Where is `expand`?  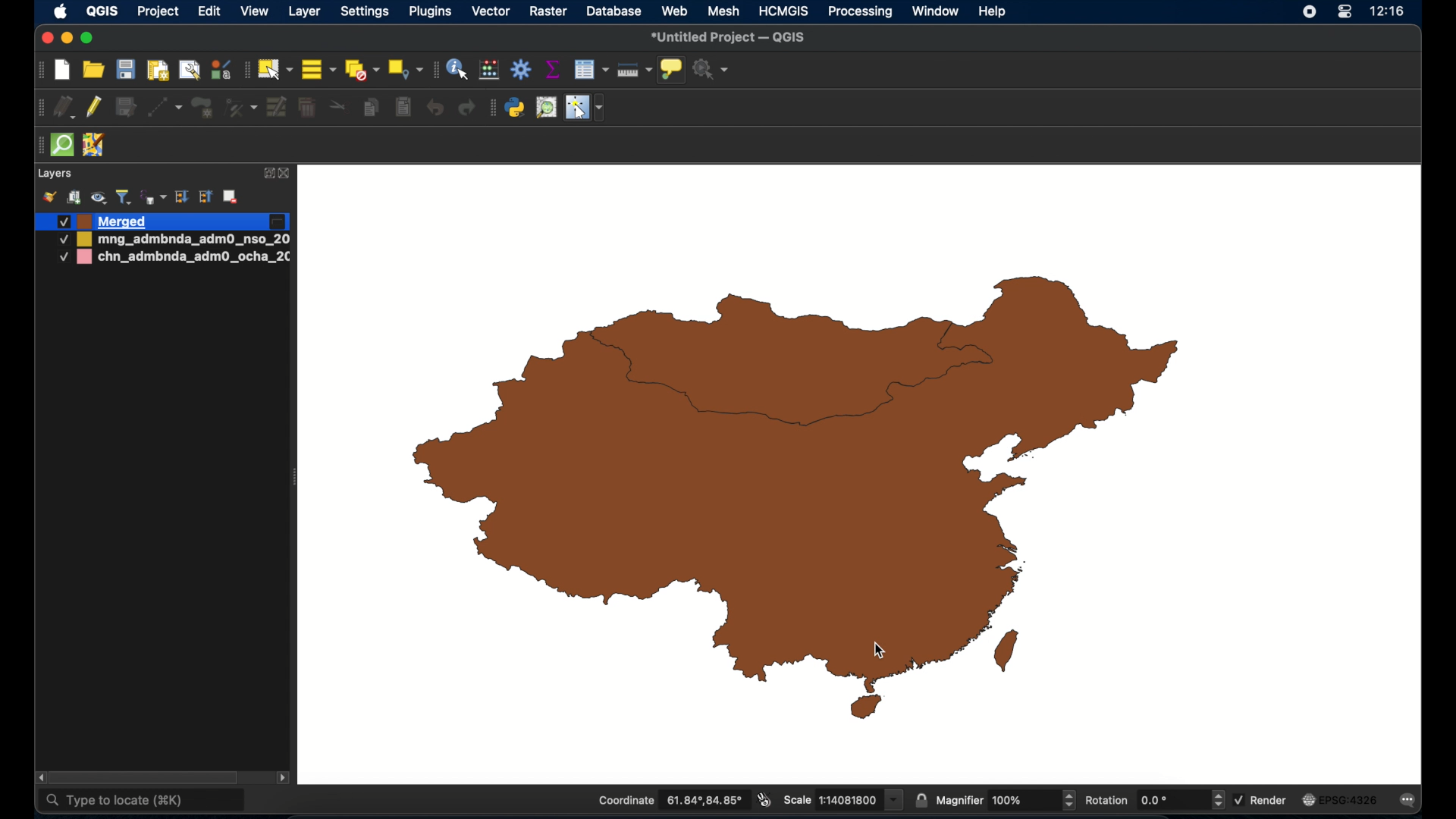
expand is located at coordinates (268, 172).